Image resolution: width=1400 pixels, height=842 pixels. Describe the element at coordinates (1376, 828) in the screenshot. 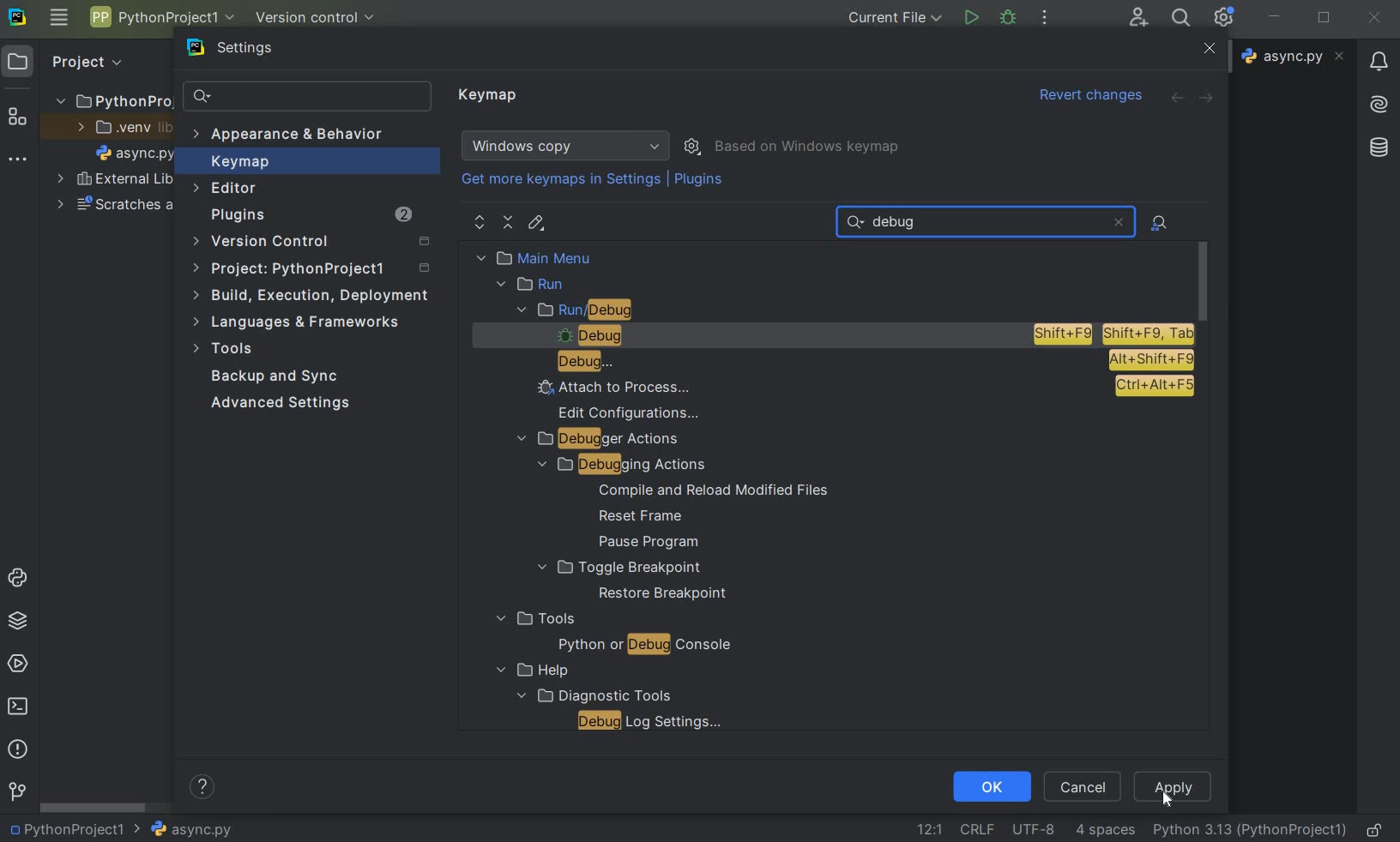

I see `make file readable only` at that location.